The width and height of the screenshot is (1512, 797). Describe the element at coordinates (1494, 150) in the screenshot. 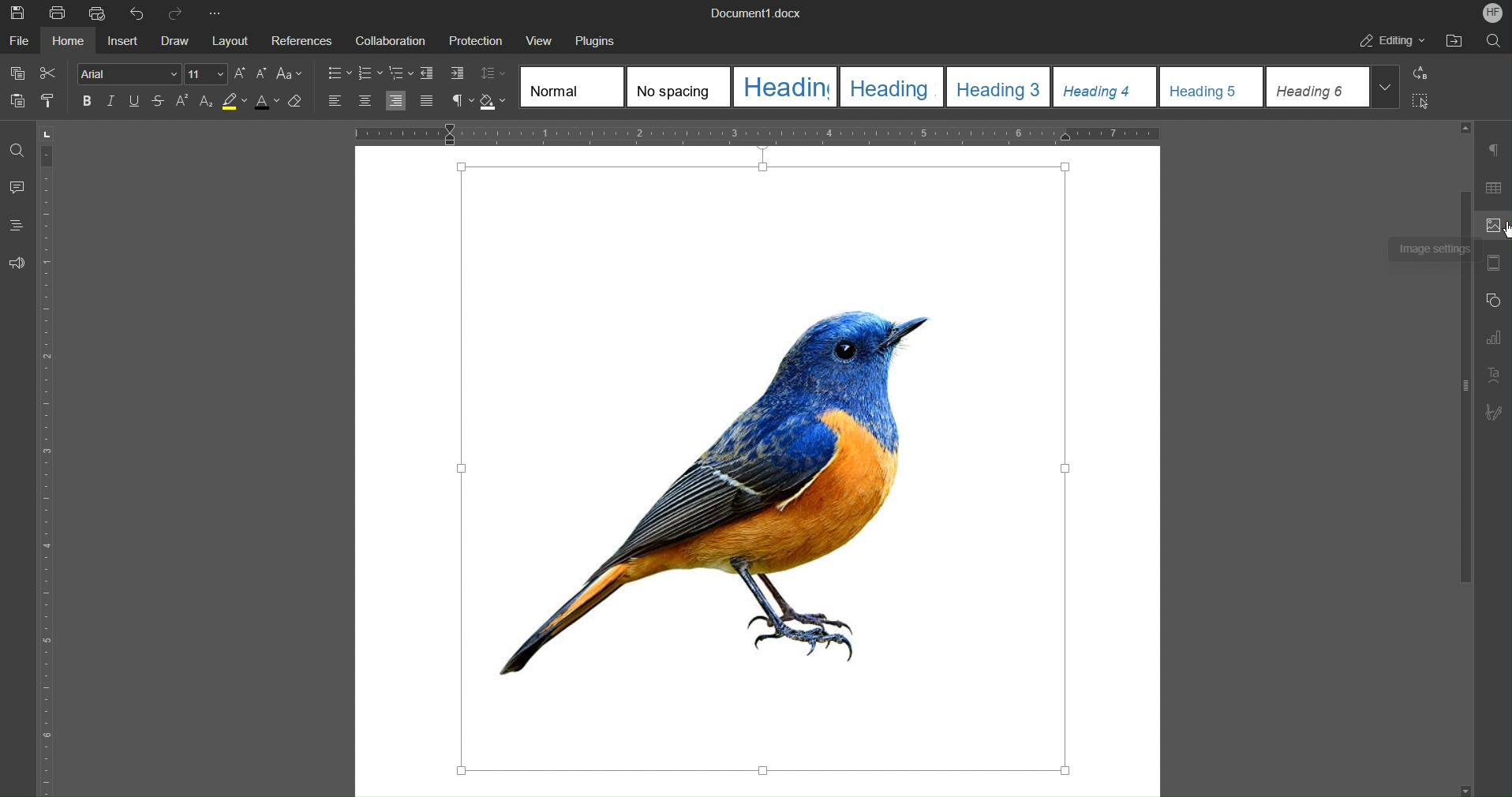

I see `Paragraph Settings` at that location.